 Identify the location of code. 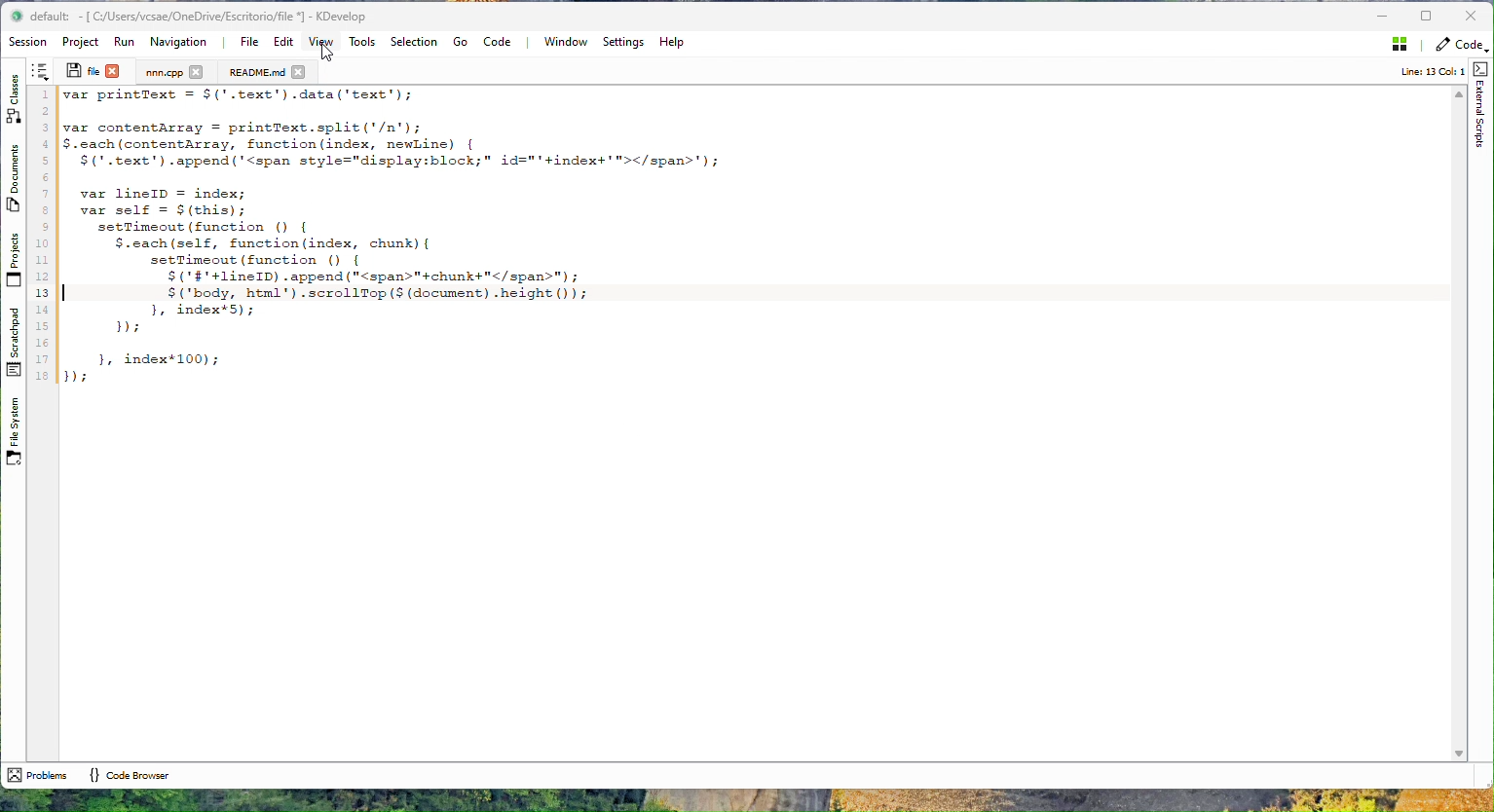
(1460, 48).